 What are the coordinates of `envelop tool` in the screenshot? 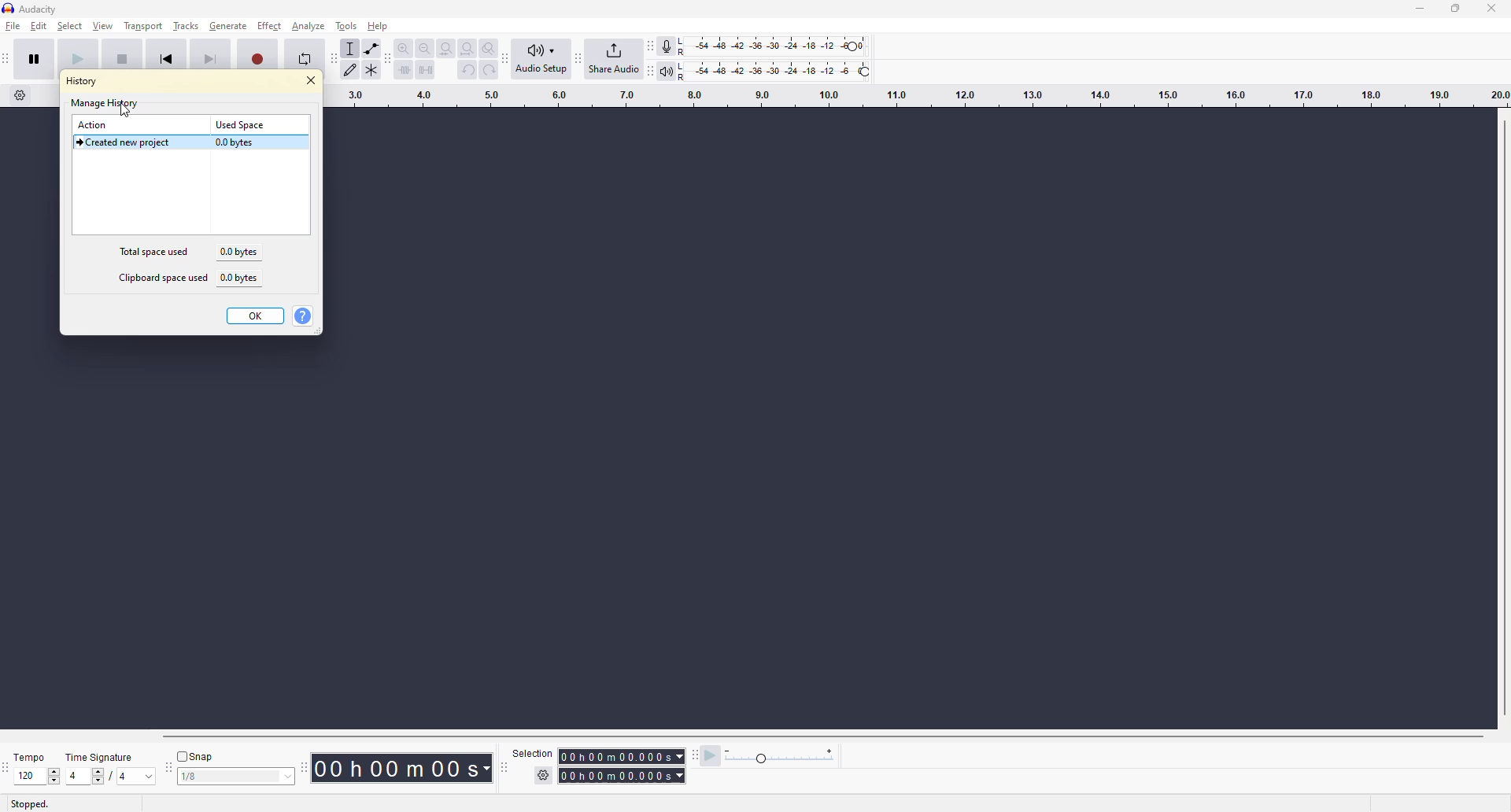 It's located at (375, 50).